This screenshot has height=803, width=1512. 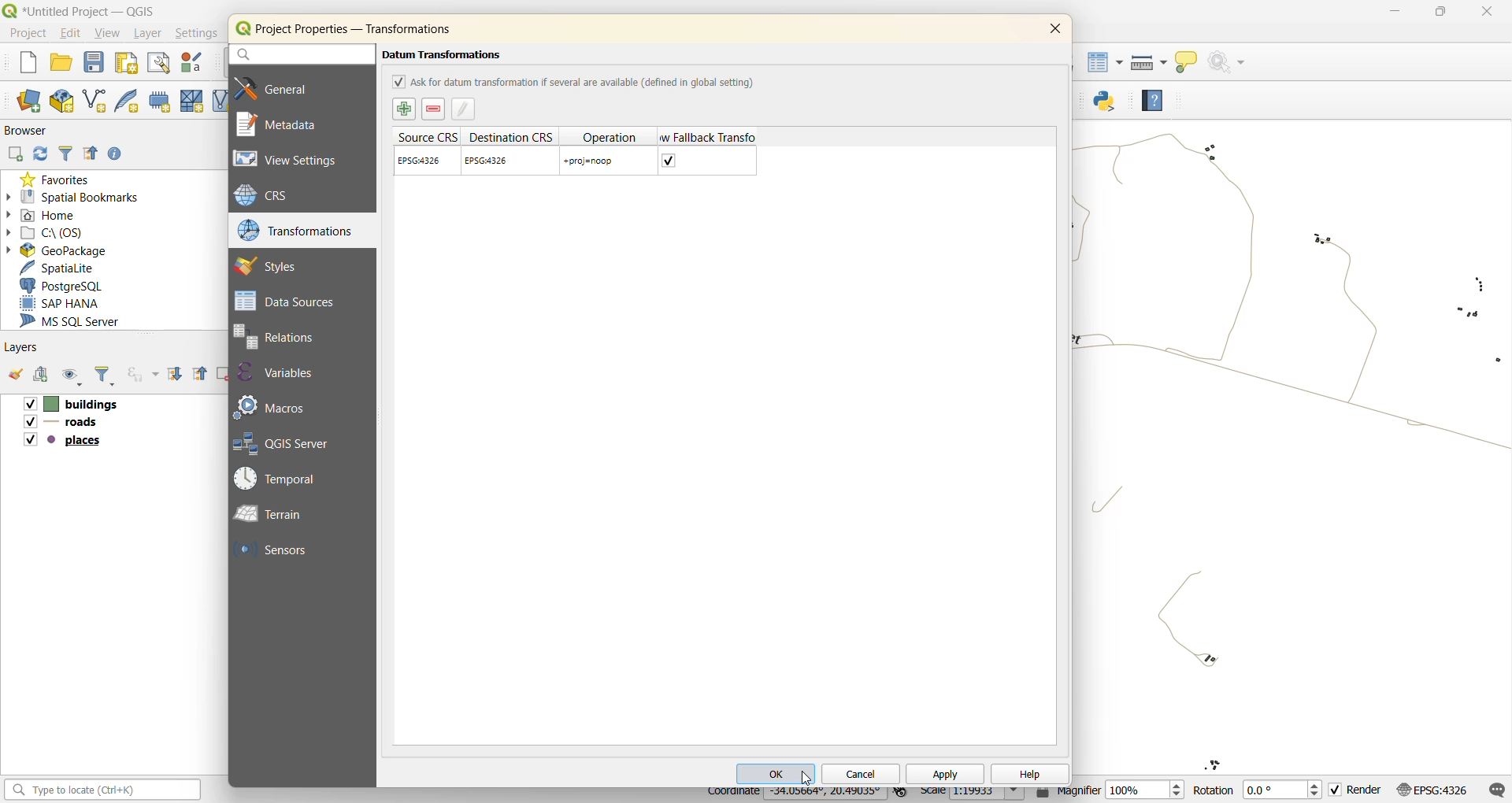 I want to click on selected, so click(x=671, y=160).